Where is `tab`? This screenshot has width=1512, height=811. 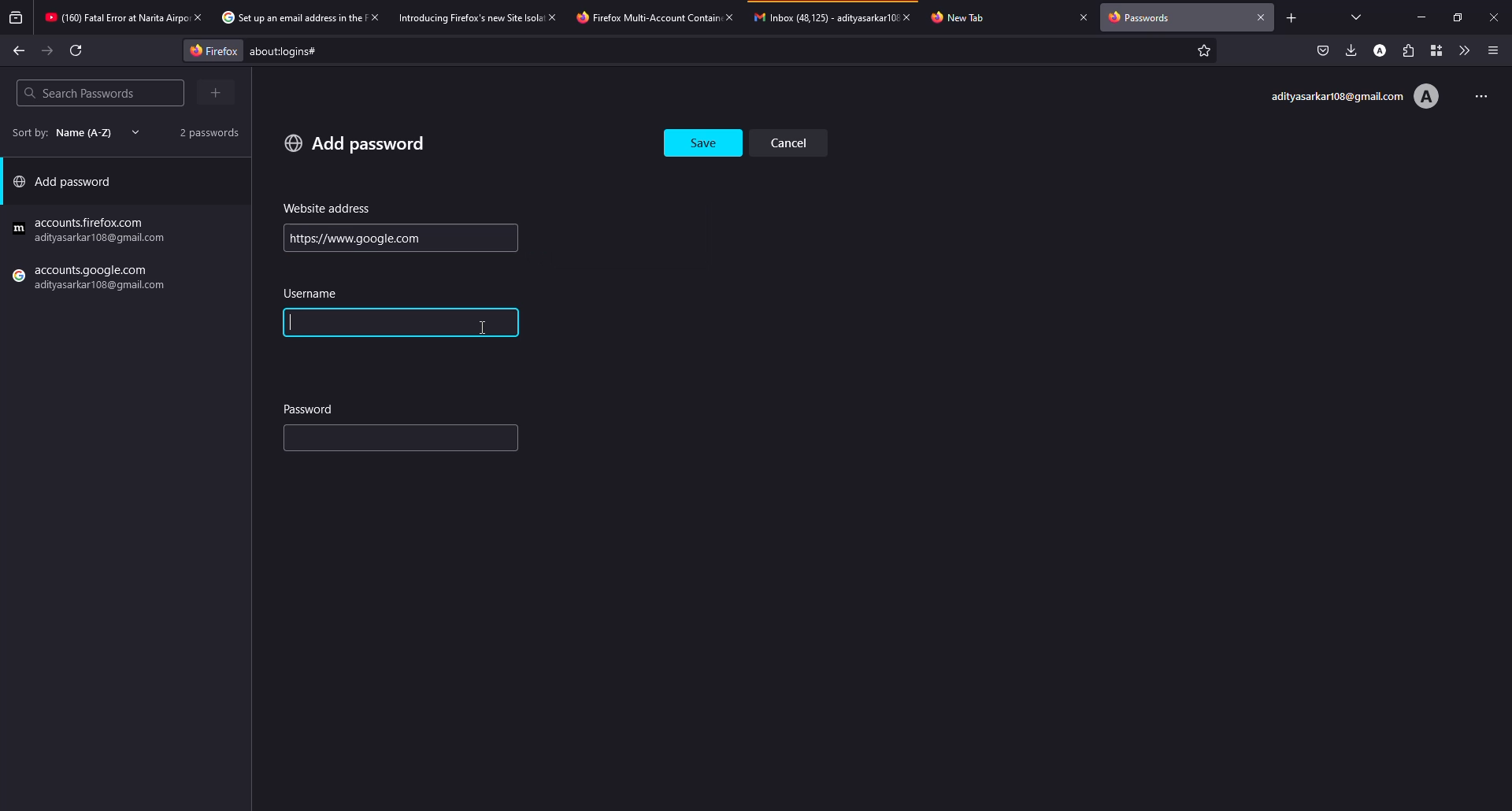
tab is located at coordinates (289, 18).